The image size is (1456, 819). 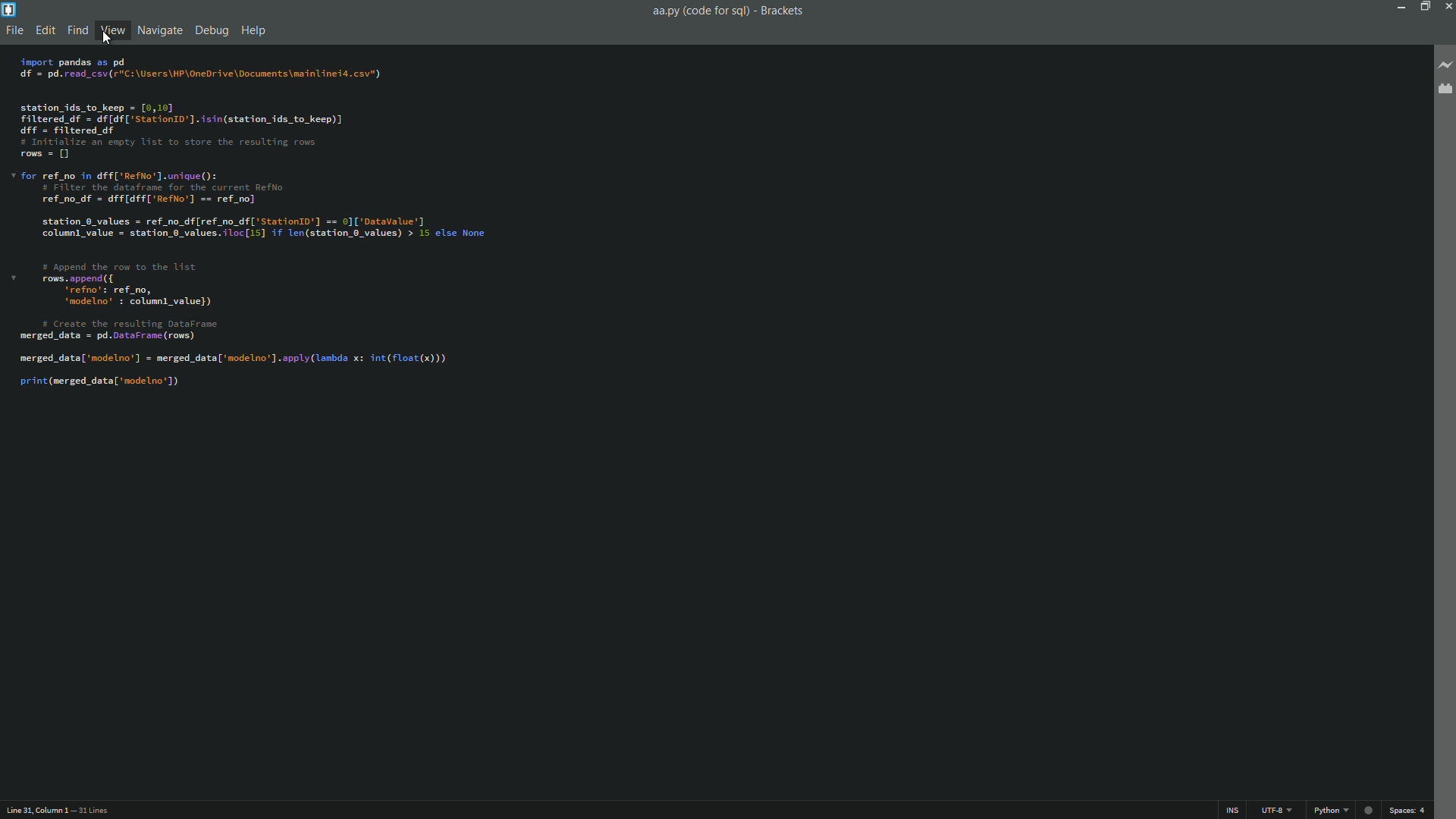 What do you see at coordinates (9, 10) in the screenshot?
I see `app icon` at bounding box center [9, 10].